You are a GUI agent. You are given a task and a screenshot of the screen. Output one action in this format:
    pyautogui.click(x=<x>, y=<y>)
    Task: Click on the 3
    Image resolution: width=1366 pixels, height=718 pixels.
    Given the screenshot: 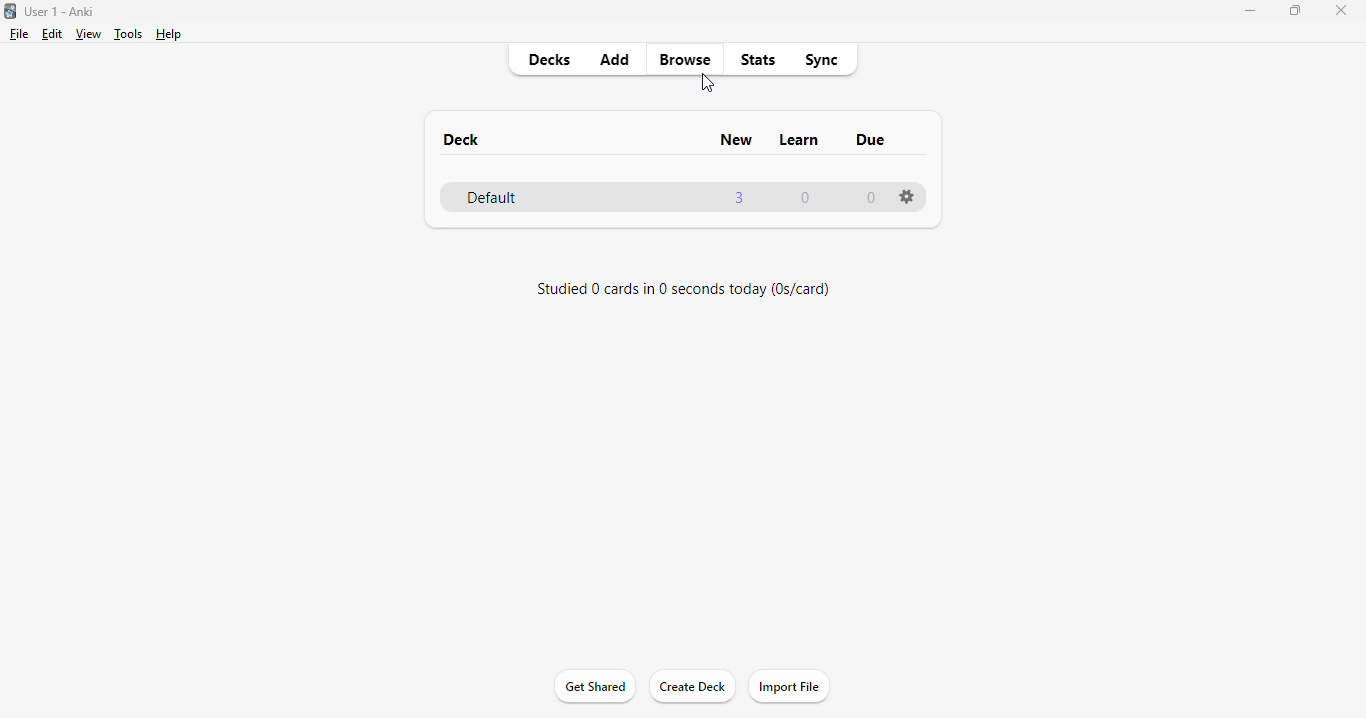 What is the action you would take?
    pyautogui.click(x=739, y=198)
    